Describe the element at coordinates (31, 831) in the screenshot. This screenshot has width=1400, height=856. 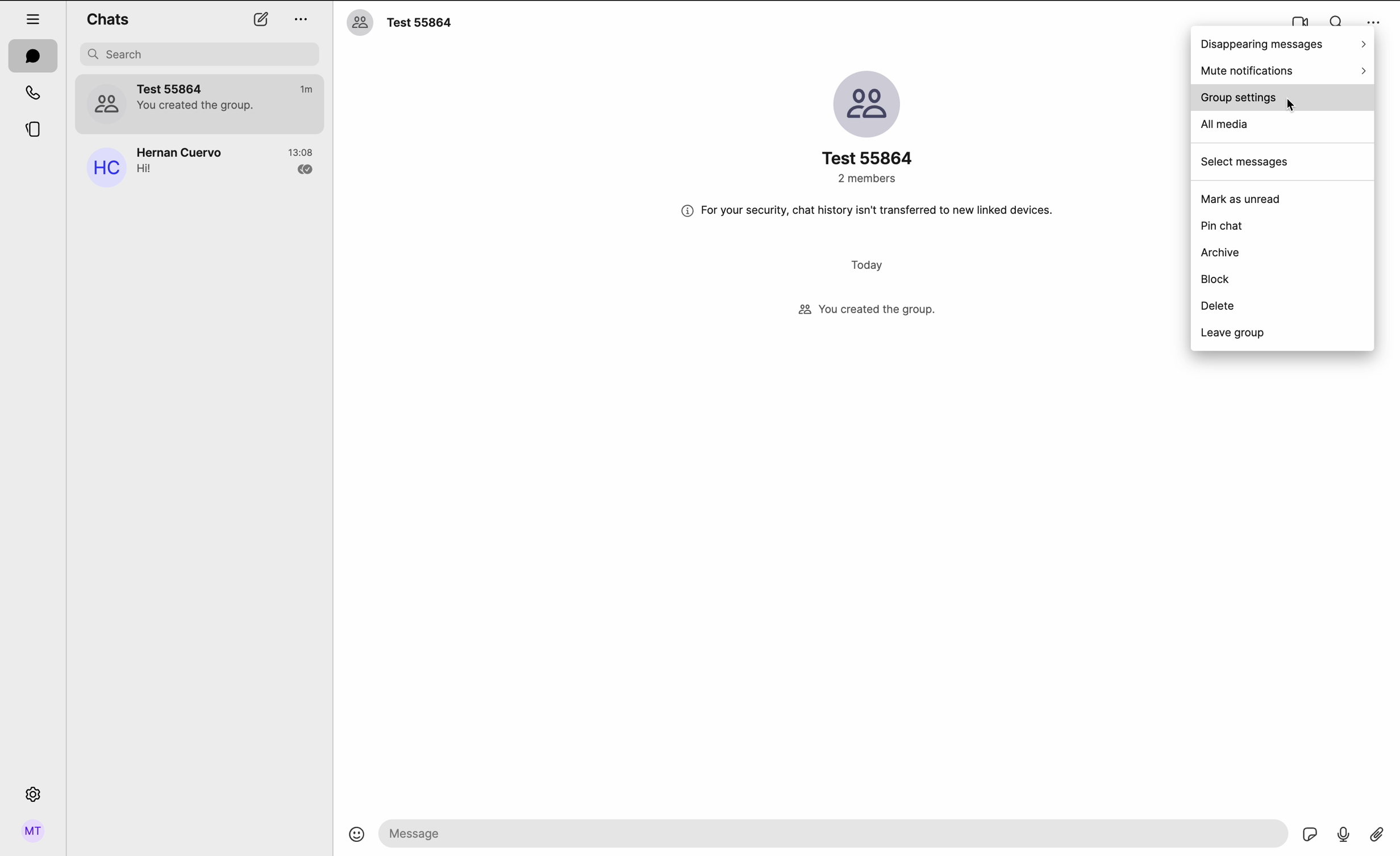
I see `profile` at that location.